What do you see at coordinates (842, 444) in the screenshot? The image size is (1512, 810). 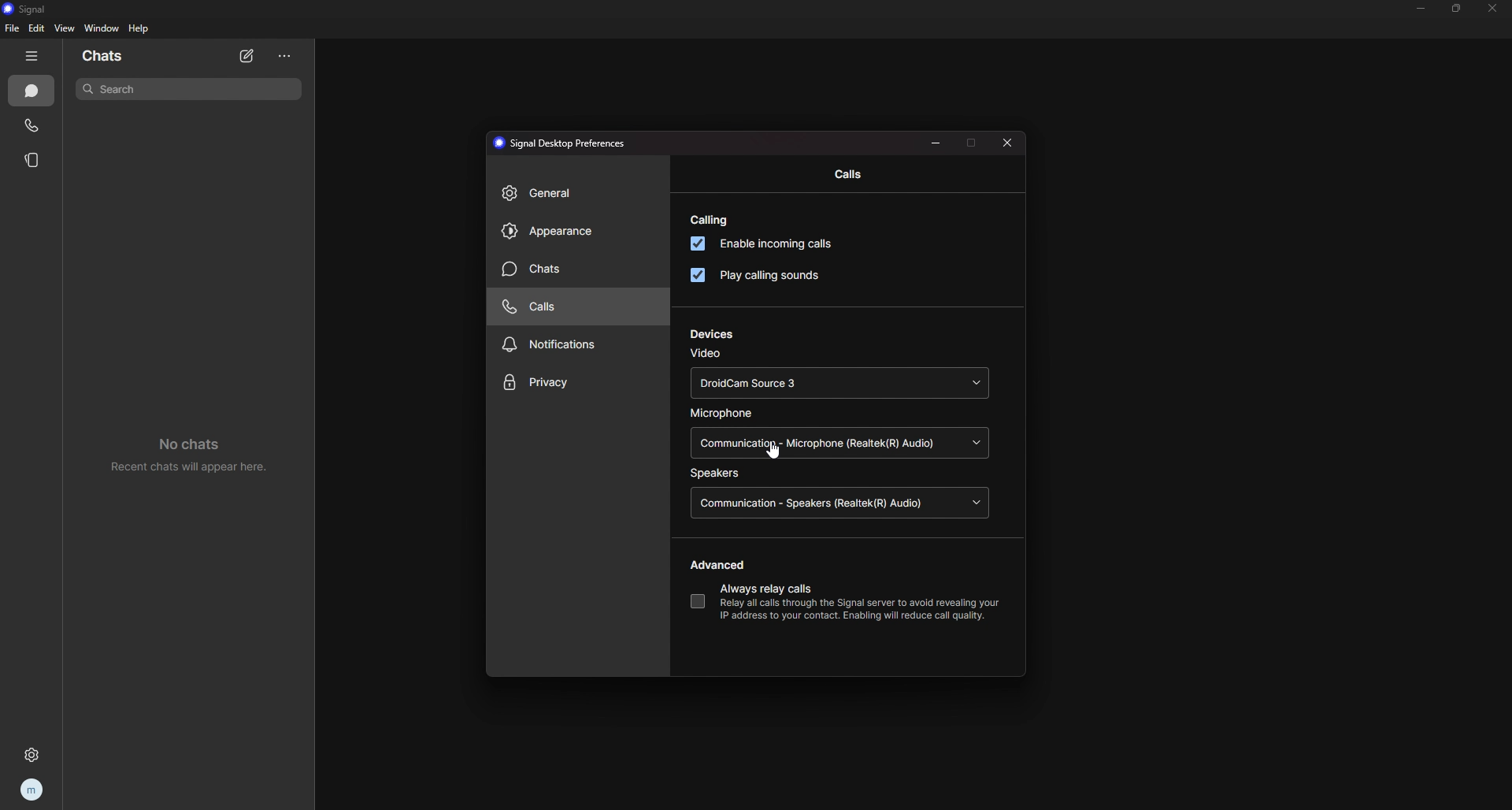 I see `microphone source` at bounding box center [842, 444].